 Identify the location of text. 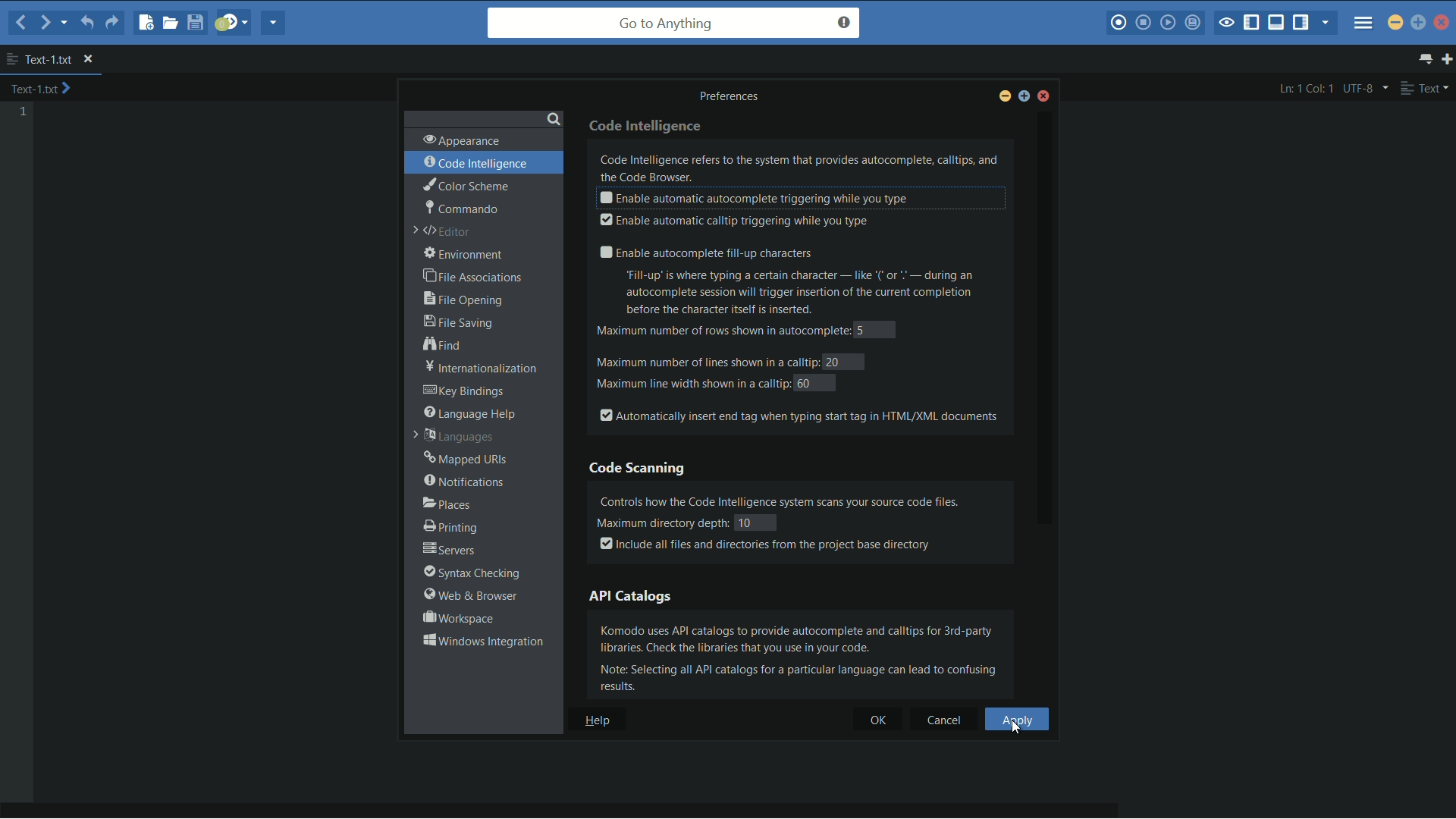
(1424, 88).